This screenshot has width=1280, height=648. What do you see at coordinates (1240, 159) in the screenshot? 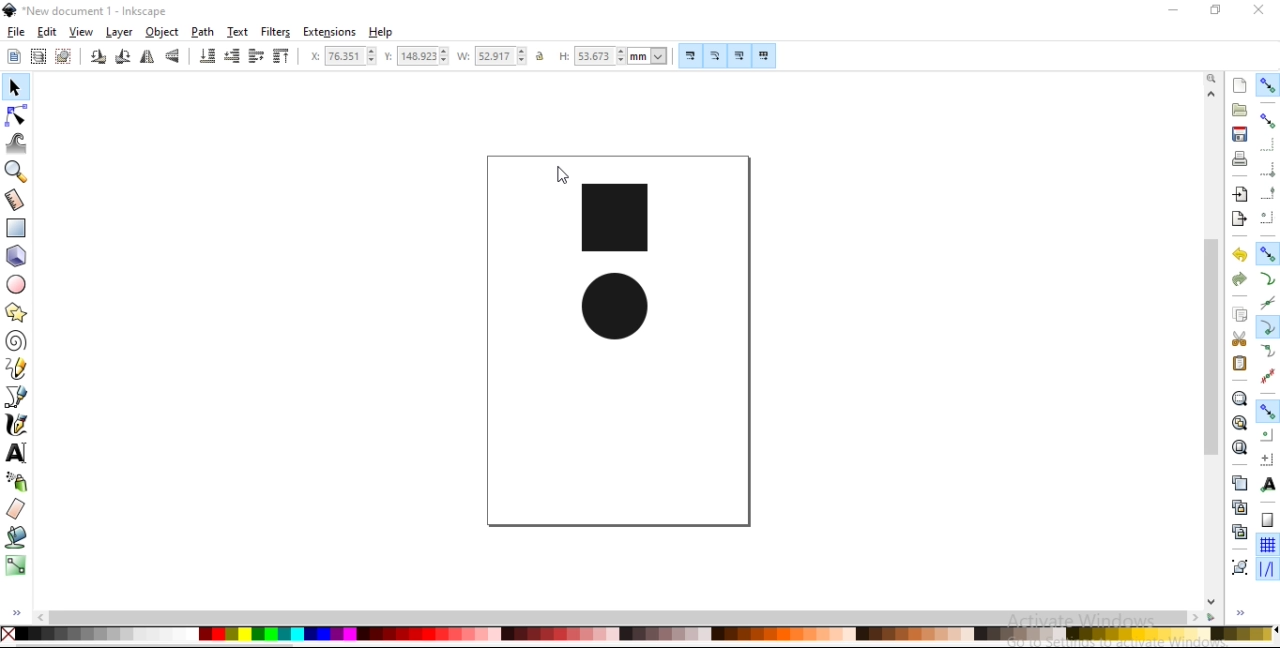
I see `print document` at bounding box center [1240, 159].